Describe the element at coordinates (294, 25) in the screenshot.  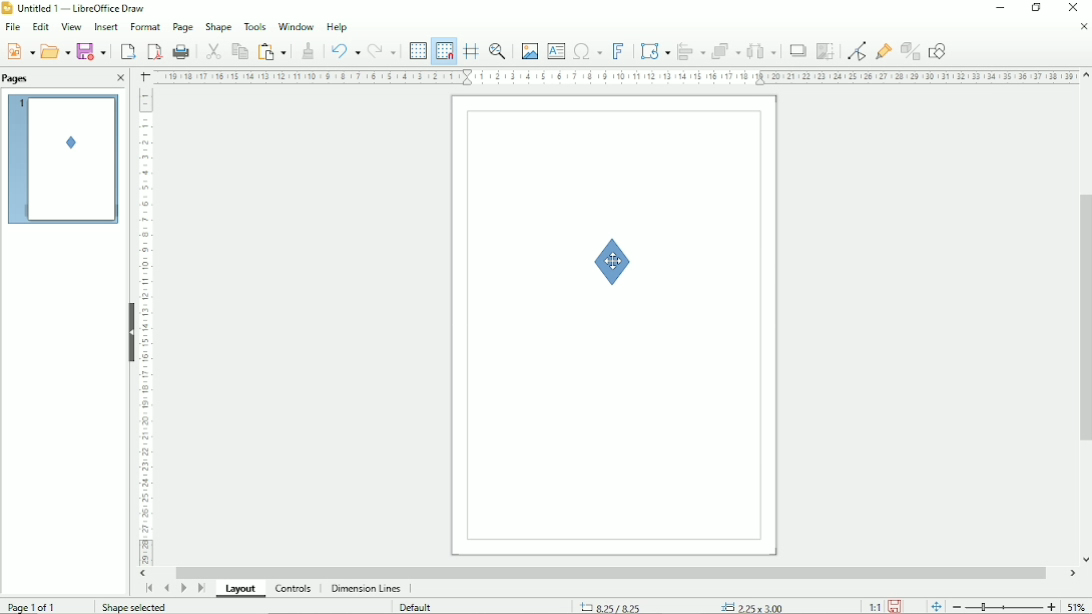
I see `Window` at that location.